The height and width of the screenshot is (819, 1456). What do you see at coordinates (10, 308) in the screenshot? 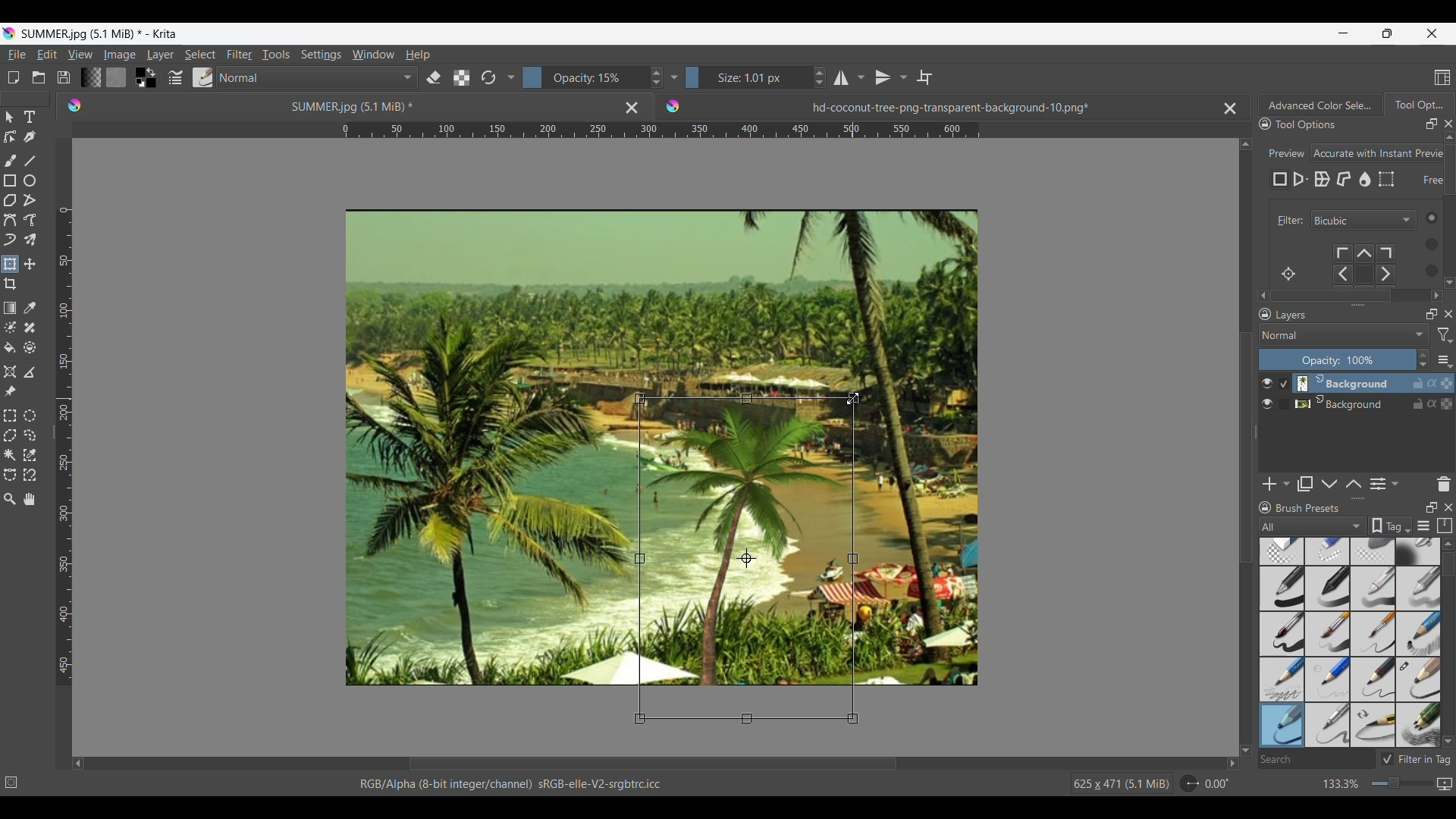
I see `Gradient tool` at bounding box center [10, 308].